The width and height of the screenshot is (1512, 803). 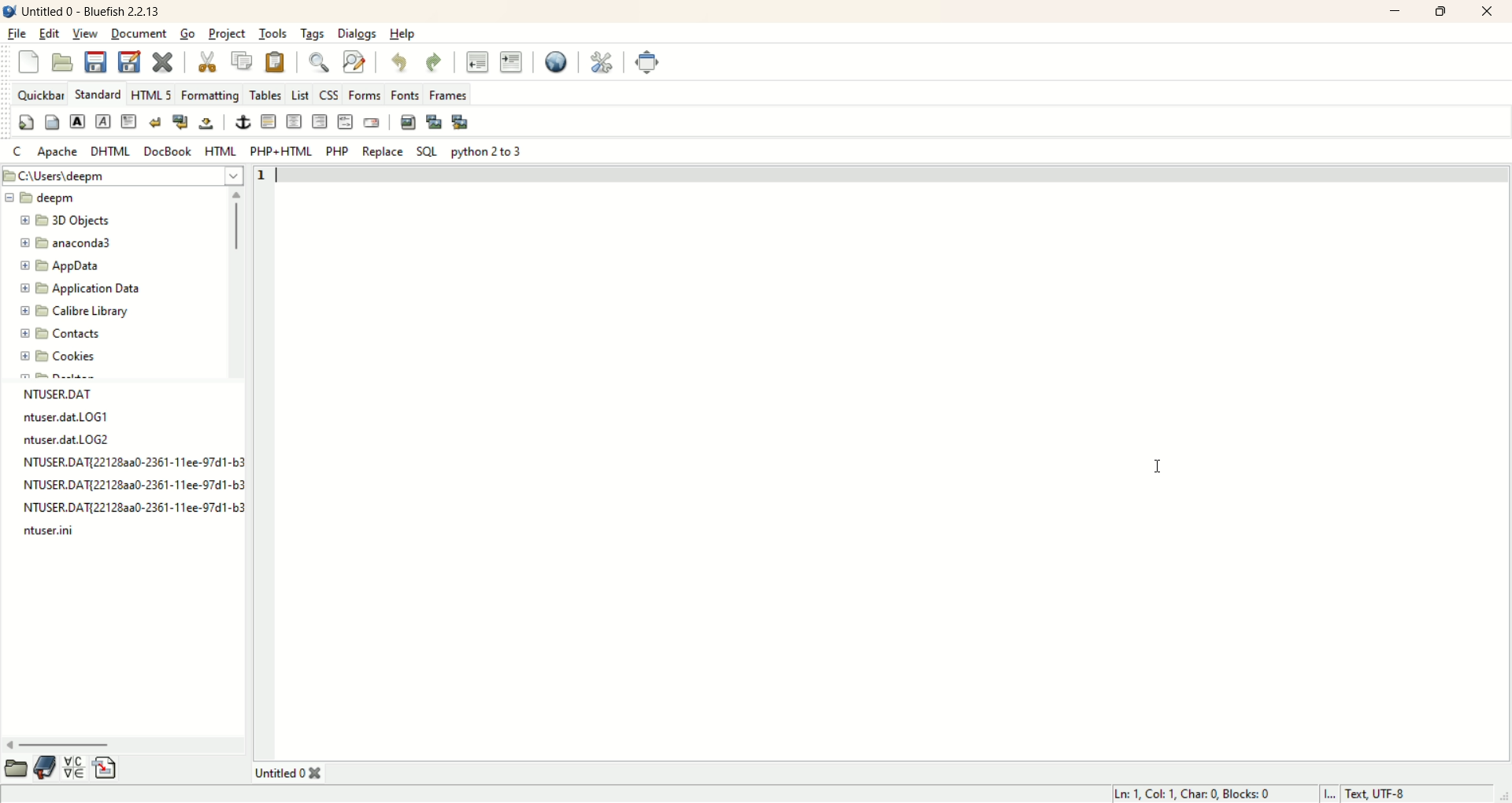 What do you see at coordinates (302, 94) in the screenshot?
I see `List` at bounding box center [302, 94].